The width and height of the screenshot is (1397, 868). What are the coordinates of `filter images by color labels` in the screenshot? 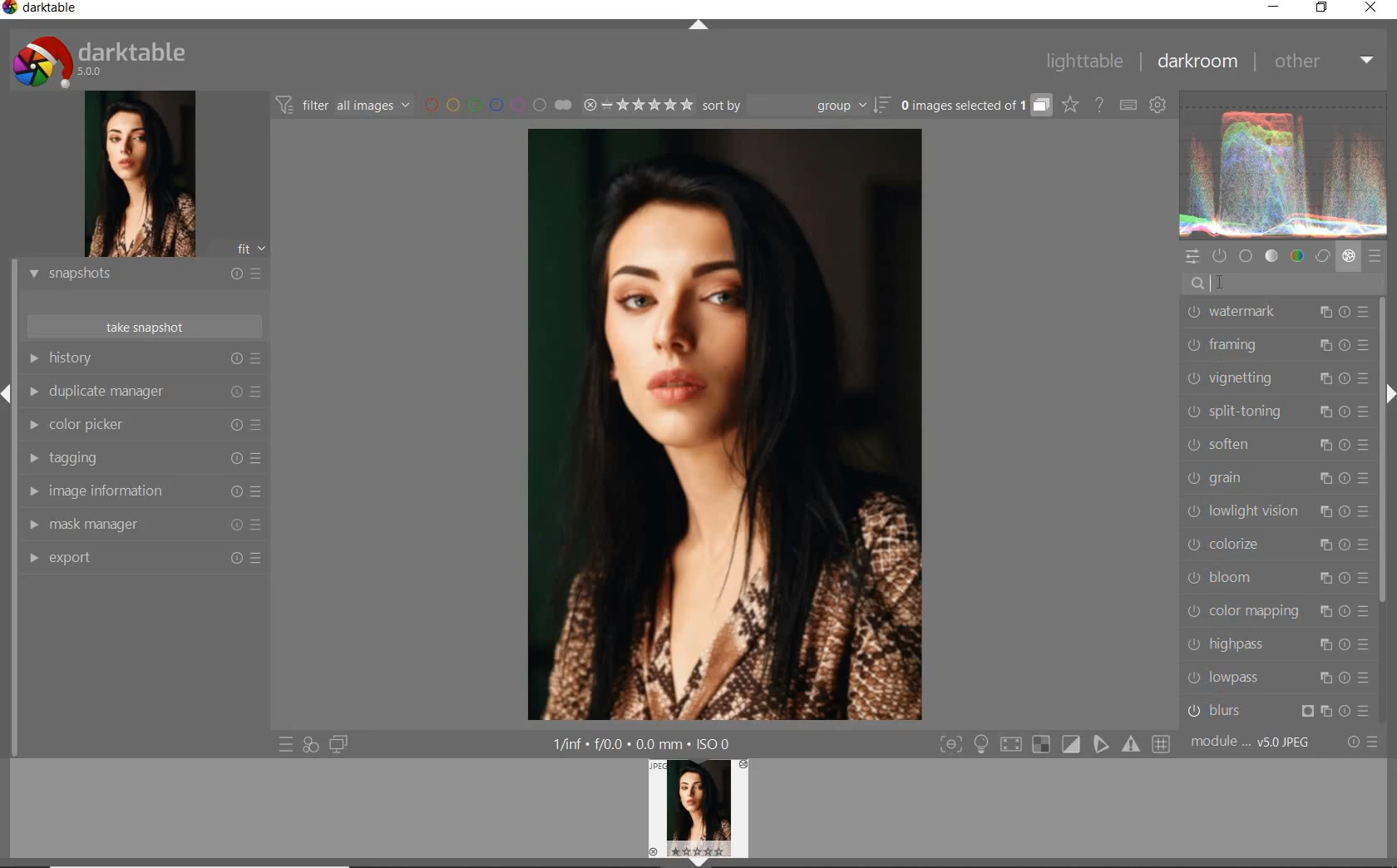 It's located at (482, 106).